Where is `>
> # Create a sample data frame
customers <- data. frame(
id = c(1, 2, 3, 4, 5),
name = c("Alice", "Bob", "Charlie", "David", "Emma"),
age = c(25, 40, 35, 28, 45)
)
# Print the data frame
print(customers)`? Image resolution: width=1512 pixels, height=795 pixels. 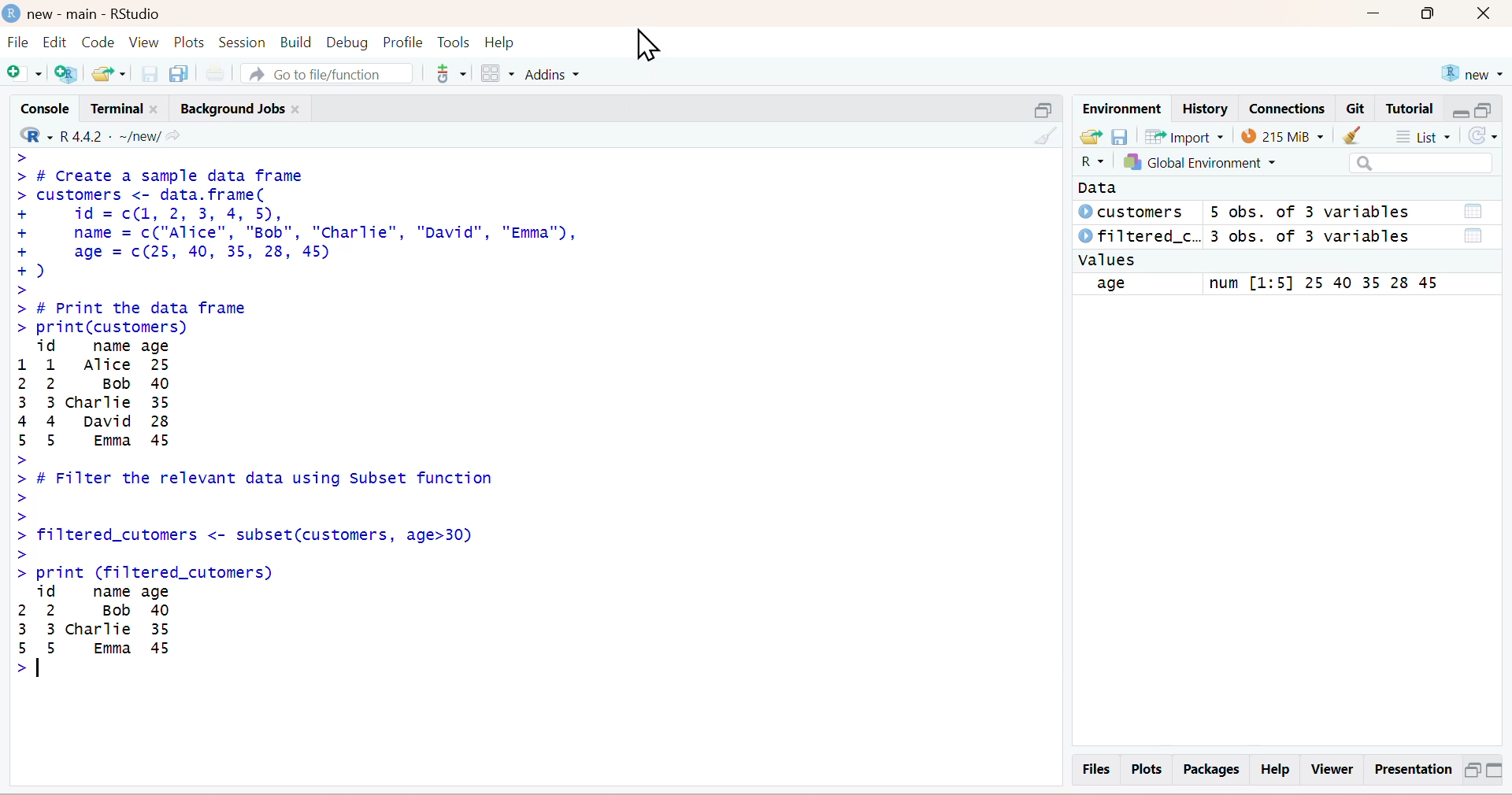 >
> # Create a sample data frame
customers <- data. frame(
id = c(1, 2, 3, 4, 5),
name = c("Alice", "Bob", "Charlie", "David", "Emma"),
age = c(25, 40, 35, 28, 45)
)
# Print the data frame
print(customers) is located at coordinates (325, 241).